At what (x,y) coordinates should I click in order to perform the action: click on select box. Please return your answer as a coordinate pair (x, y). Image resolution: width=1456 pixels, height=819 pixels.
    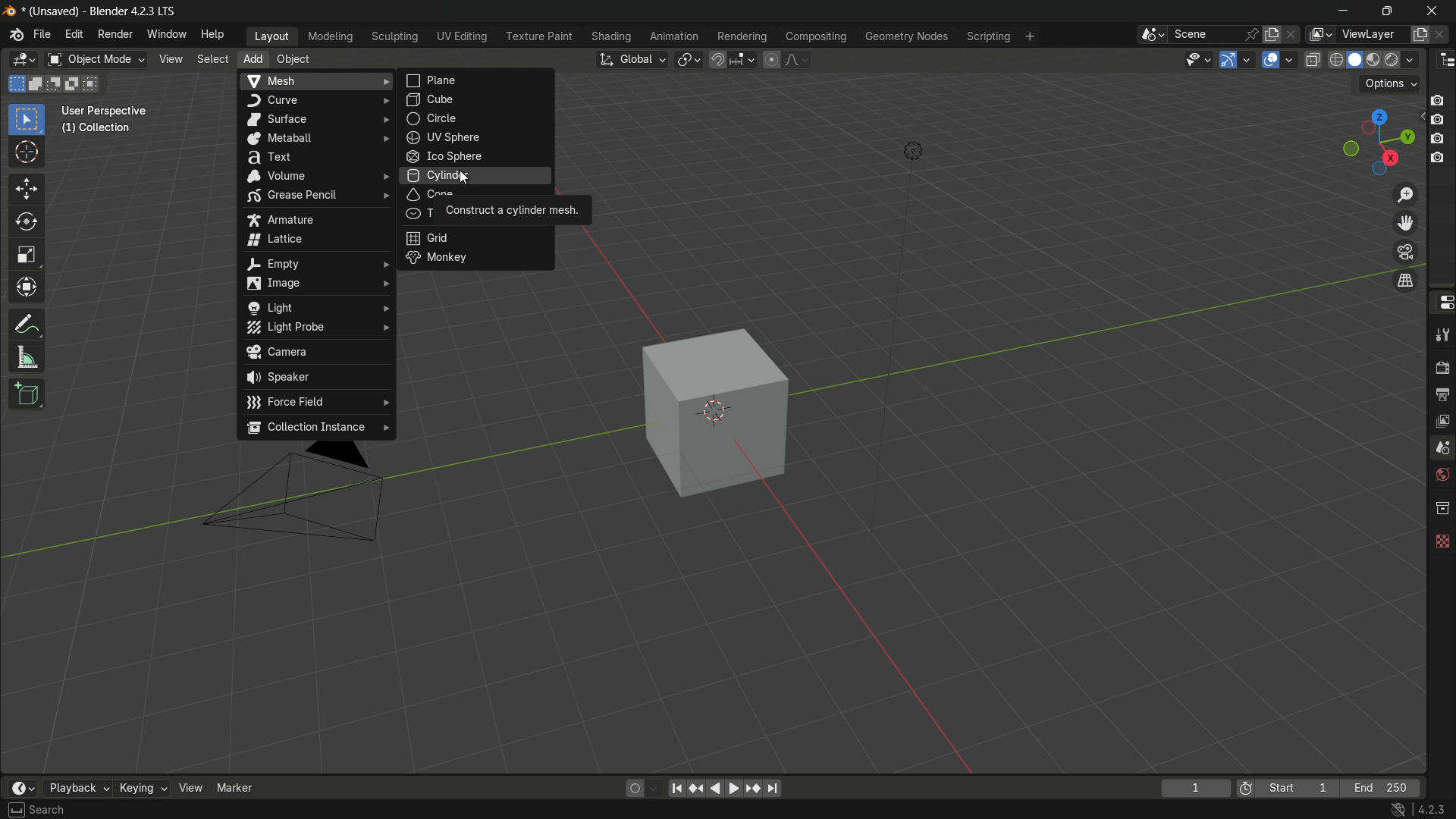
    Looking at the image, I should click on (27, 121).